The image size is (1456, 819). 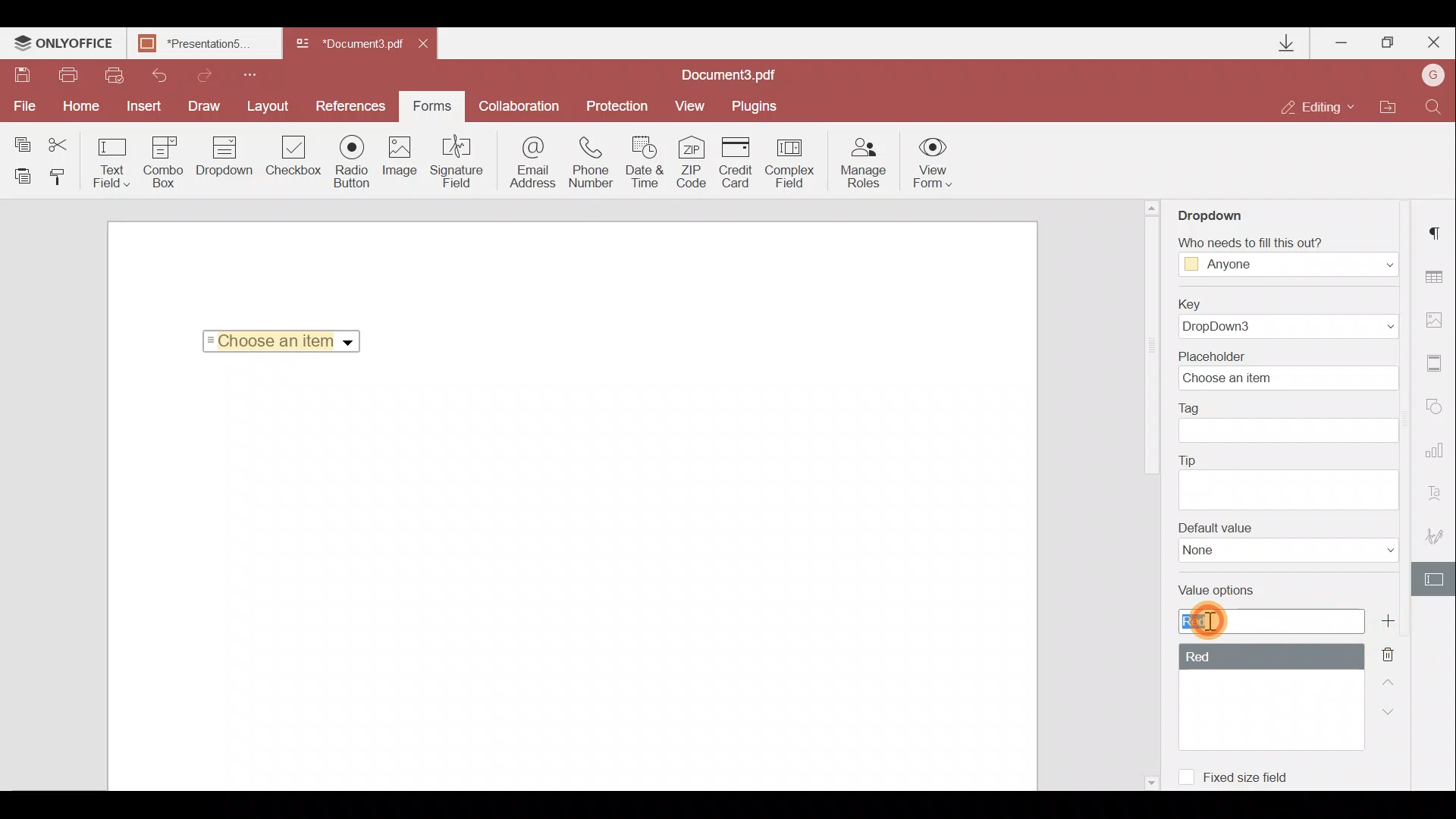 What do you see at coordinates (1439, 231) in the screenshot?
I see `Paragraph settings` at bounding box center [1439, 231].